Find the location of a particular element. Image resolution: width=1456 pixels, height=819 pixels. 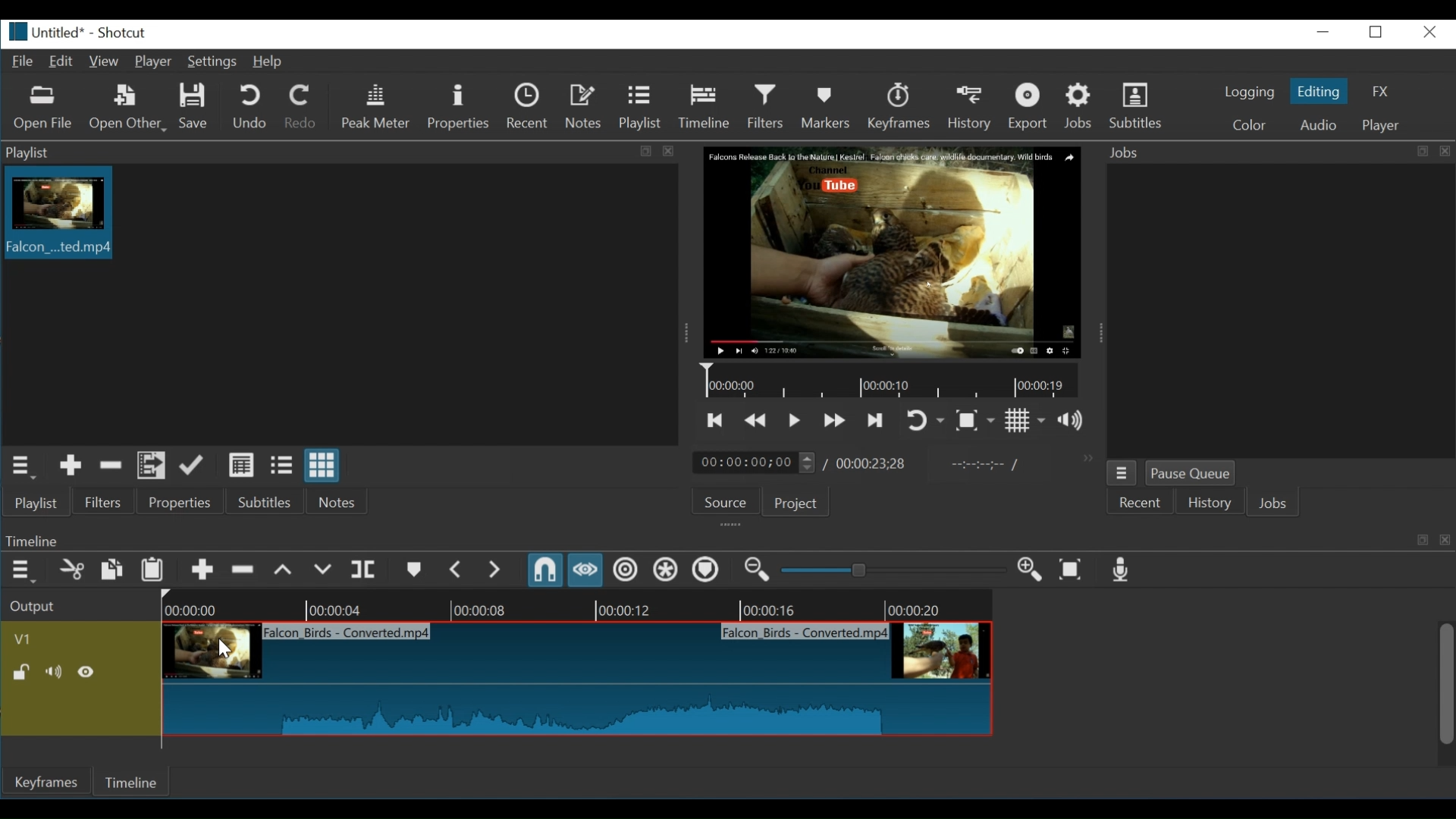

Cursor is located at coordinates (225, 645).